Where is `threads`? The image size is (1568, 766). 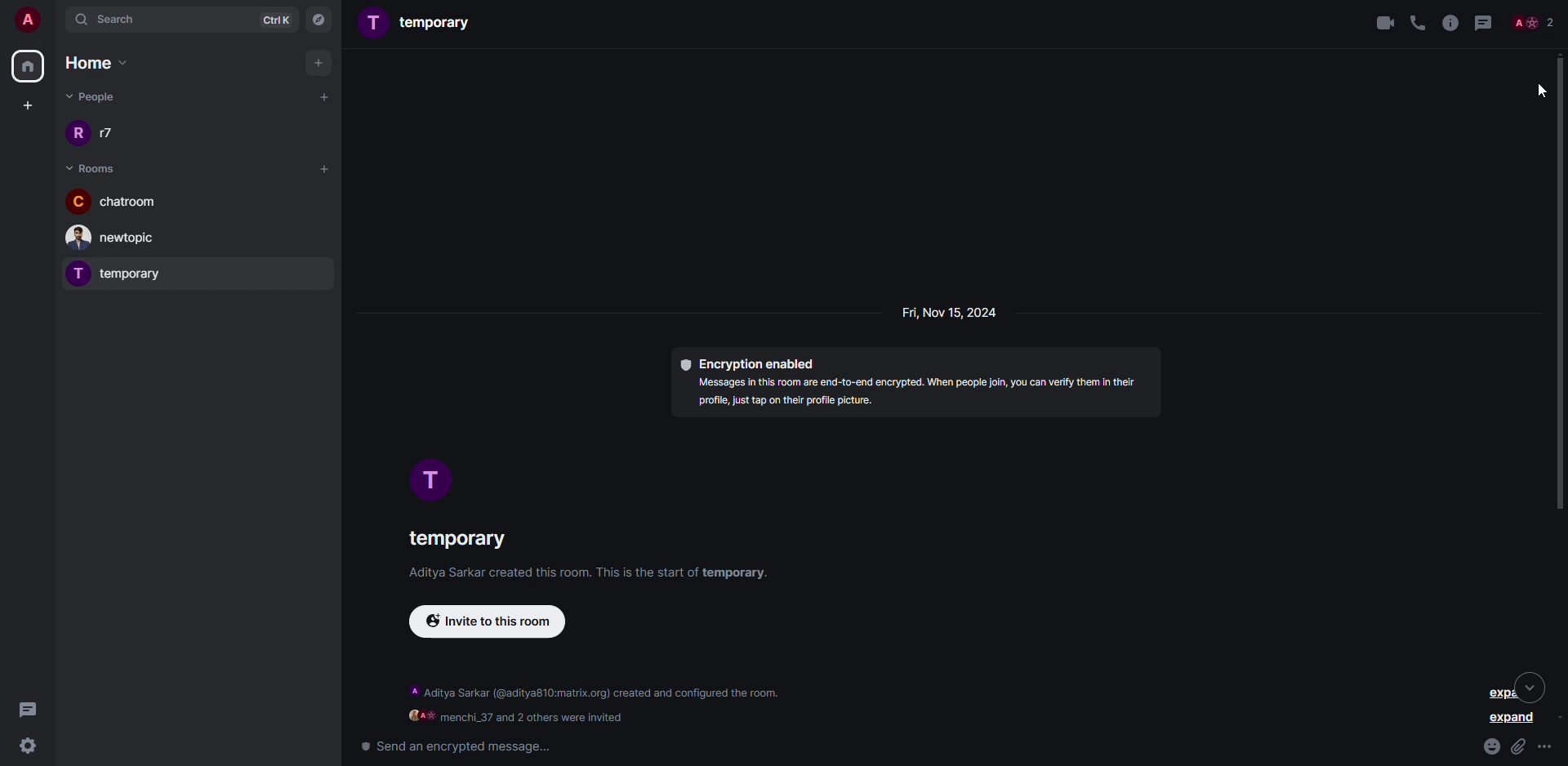 threads is located at coordinates (31, 708).